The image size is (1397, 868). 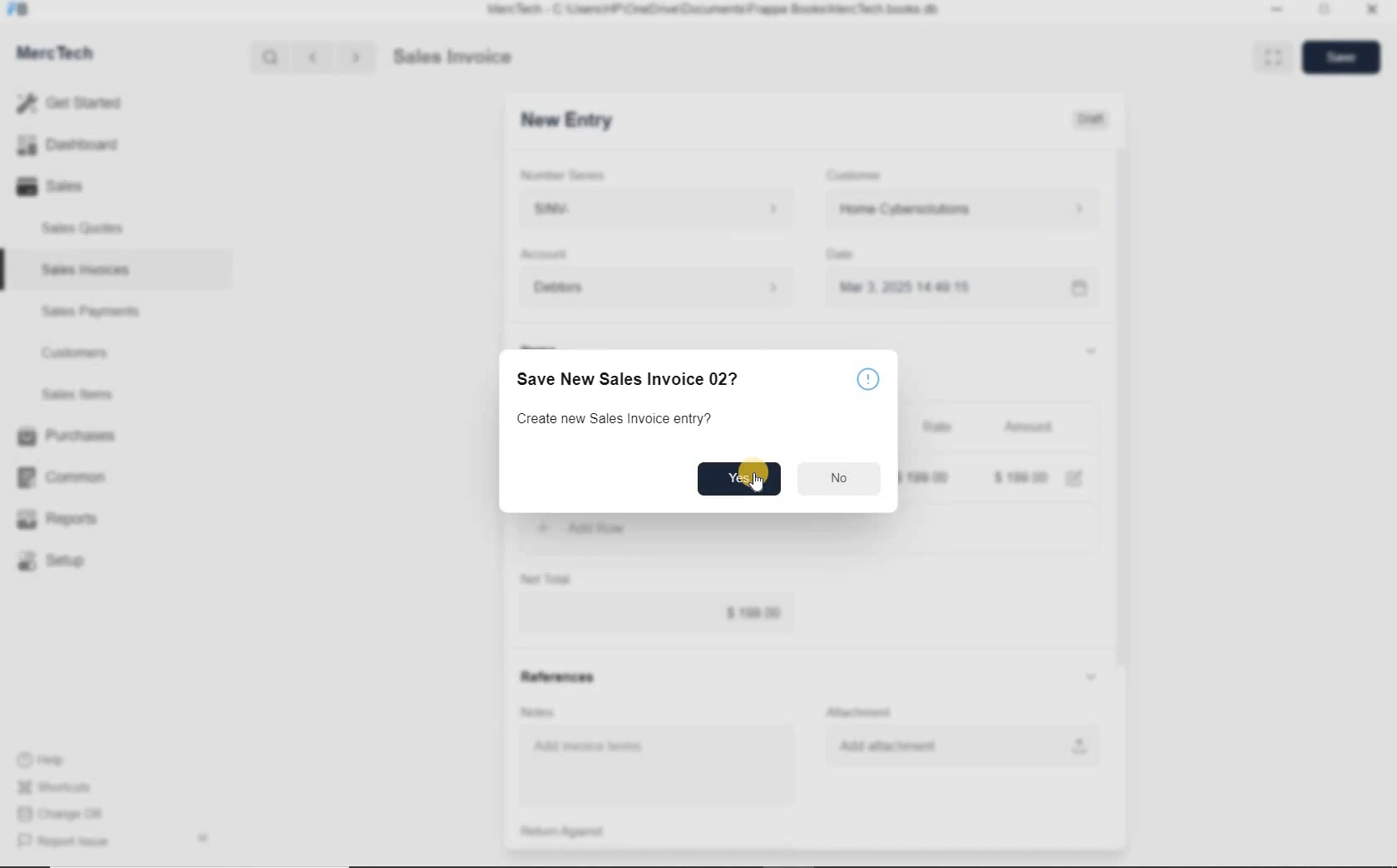 I want to click on Sales Items, so click(x=88, y=394).